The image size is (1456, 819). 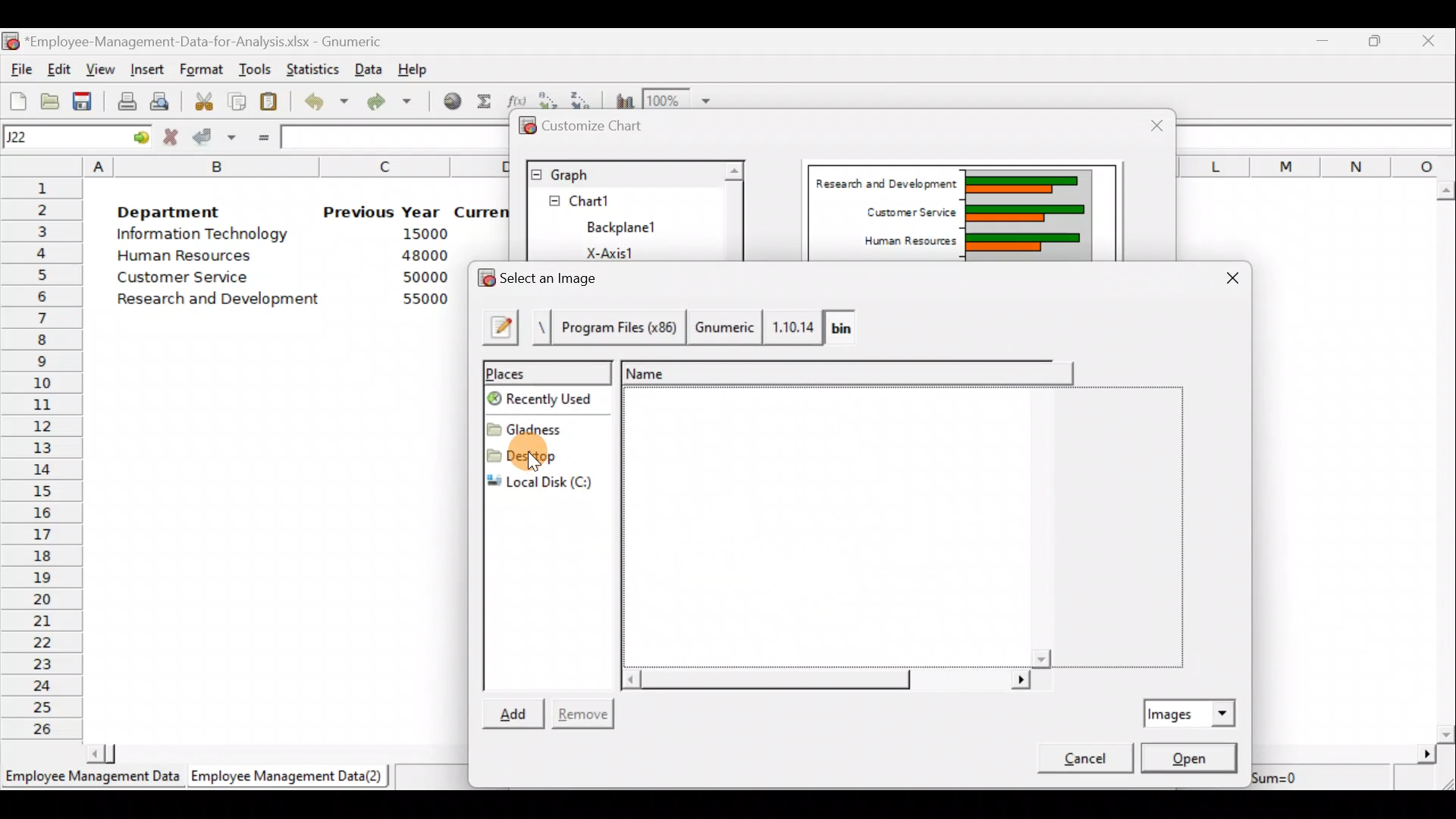 I want to click on Print preview, so click(x=161, y=101).